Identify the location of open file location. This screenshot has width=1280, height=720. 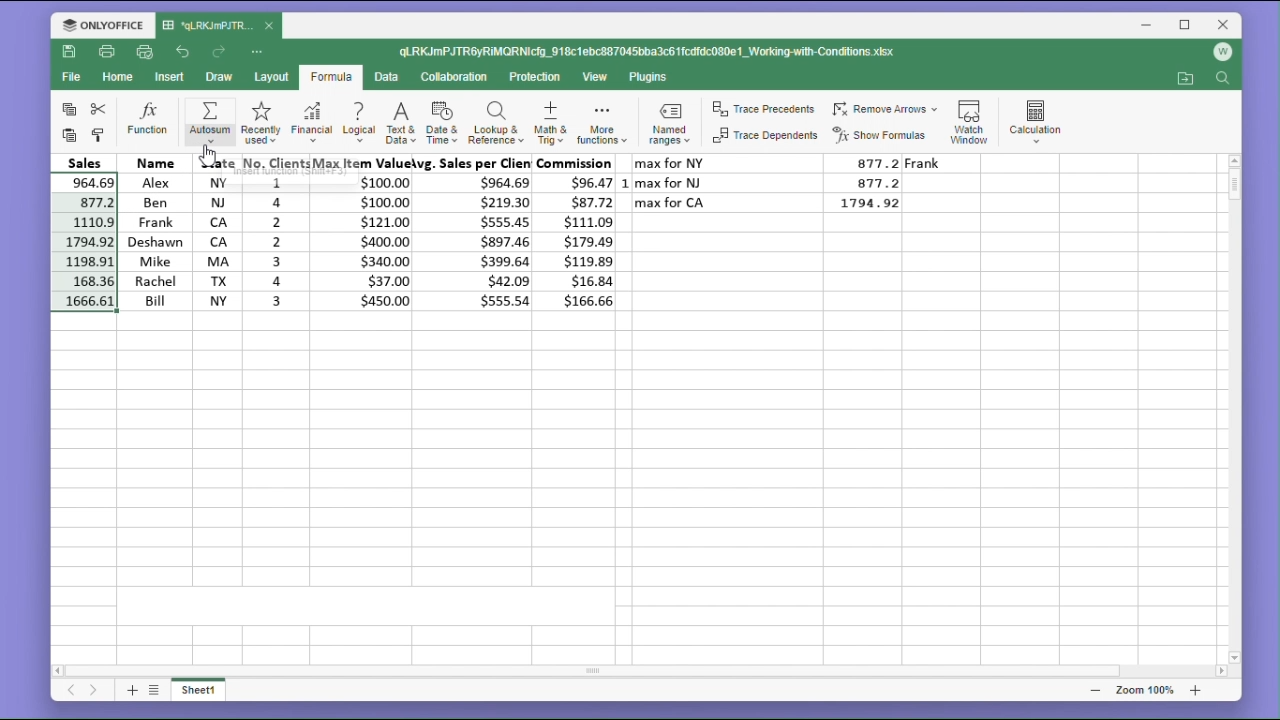
(1185, 79).